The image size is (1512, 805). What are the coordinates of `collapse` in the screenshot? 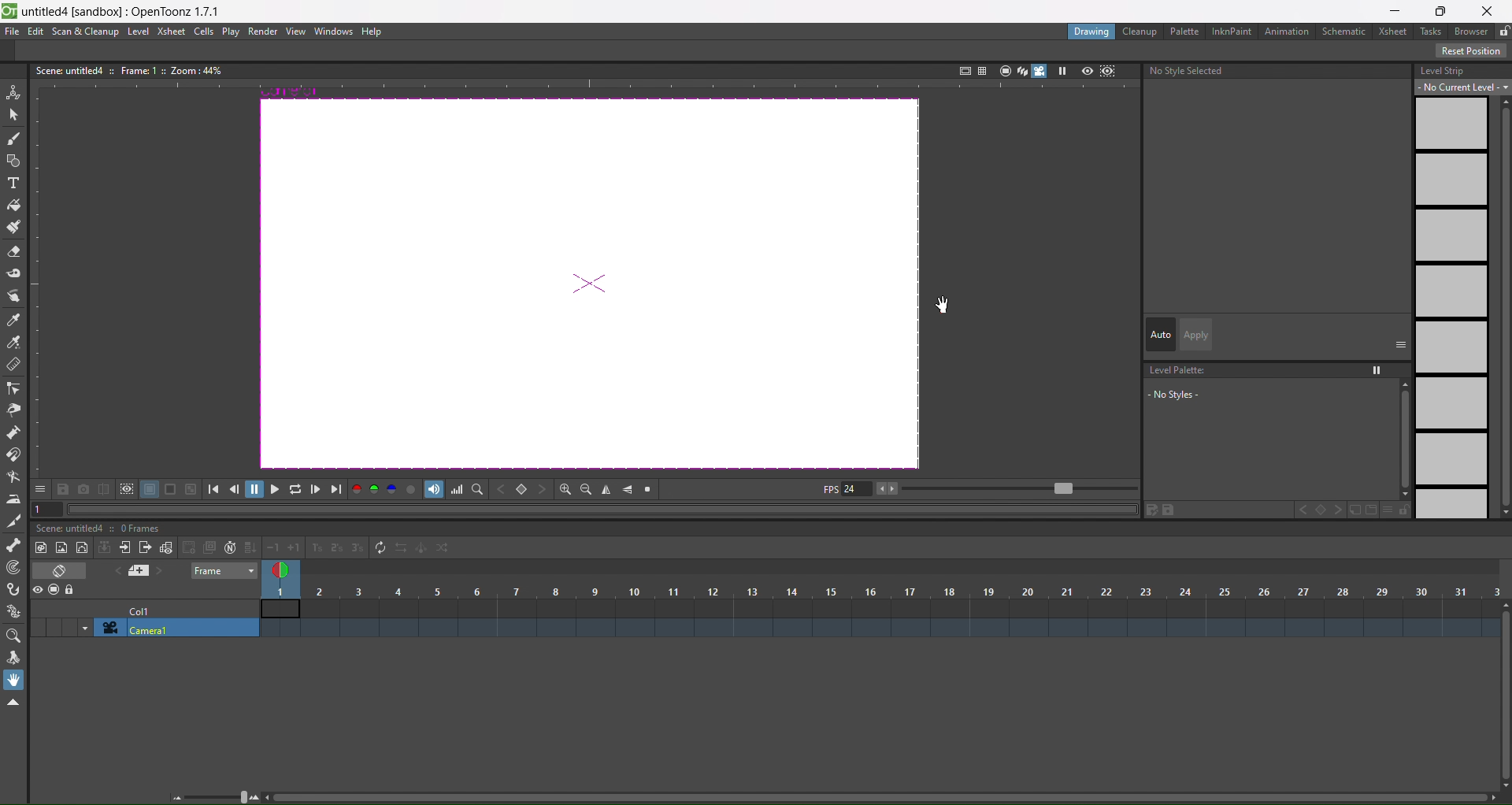 It's located at (105, 547).